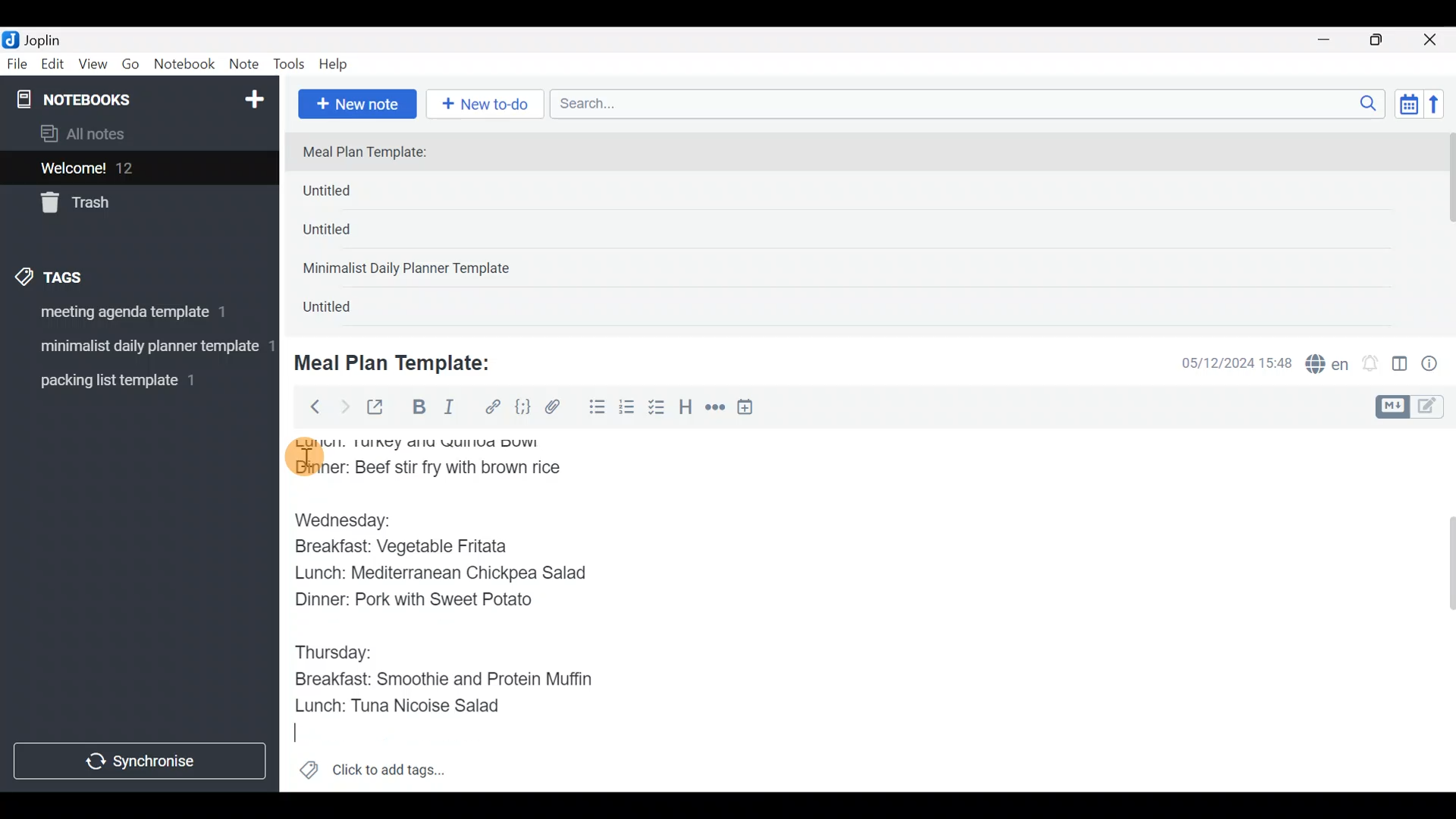 The height and width of the screenshot is (819, 1456). I want to click on Minimalist Daily Planner Template, so click(411, 270).